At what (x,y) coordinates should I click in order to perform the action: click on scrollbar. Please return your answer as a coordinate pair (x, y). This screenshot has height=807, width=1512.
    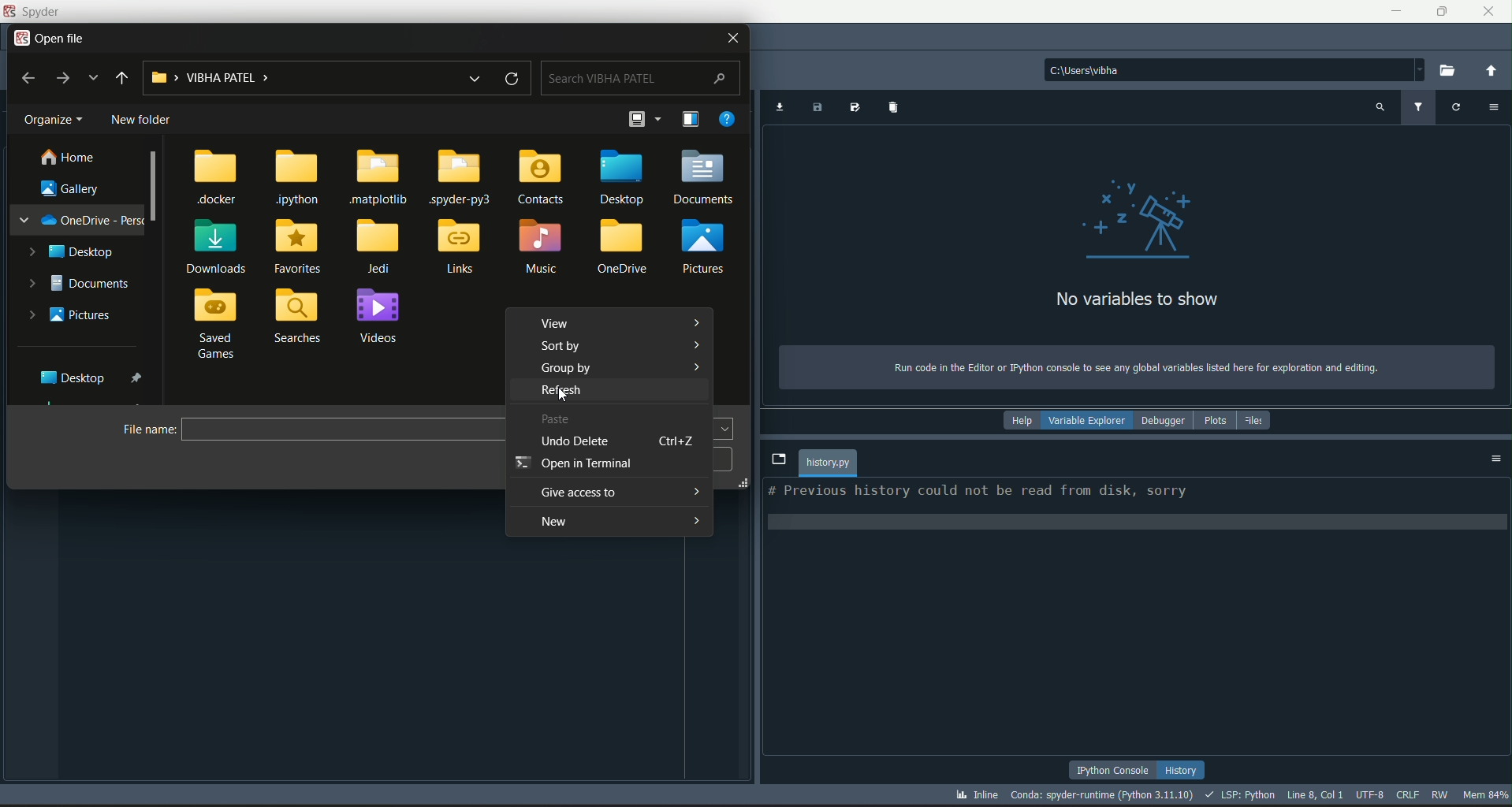
    Looking at the image, I should click on (155, 188).